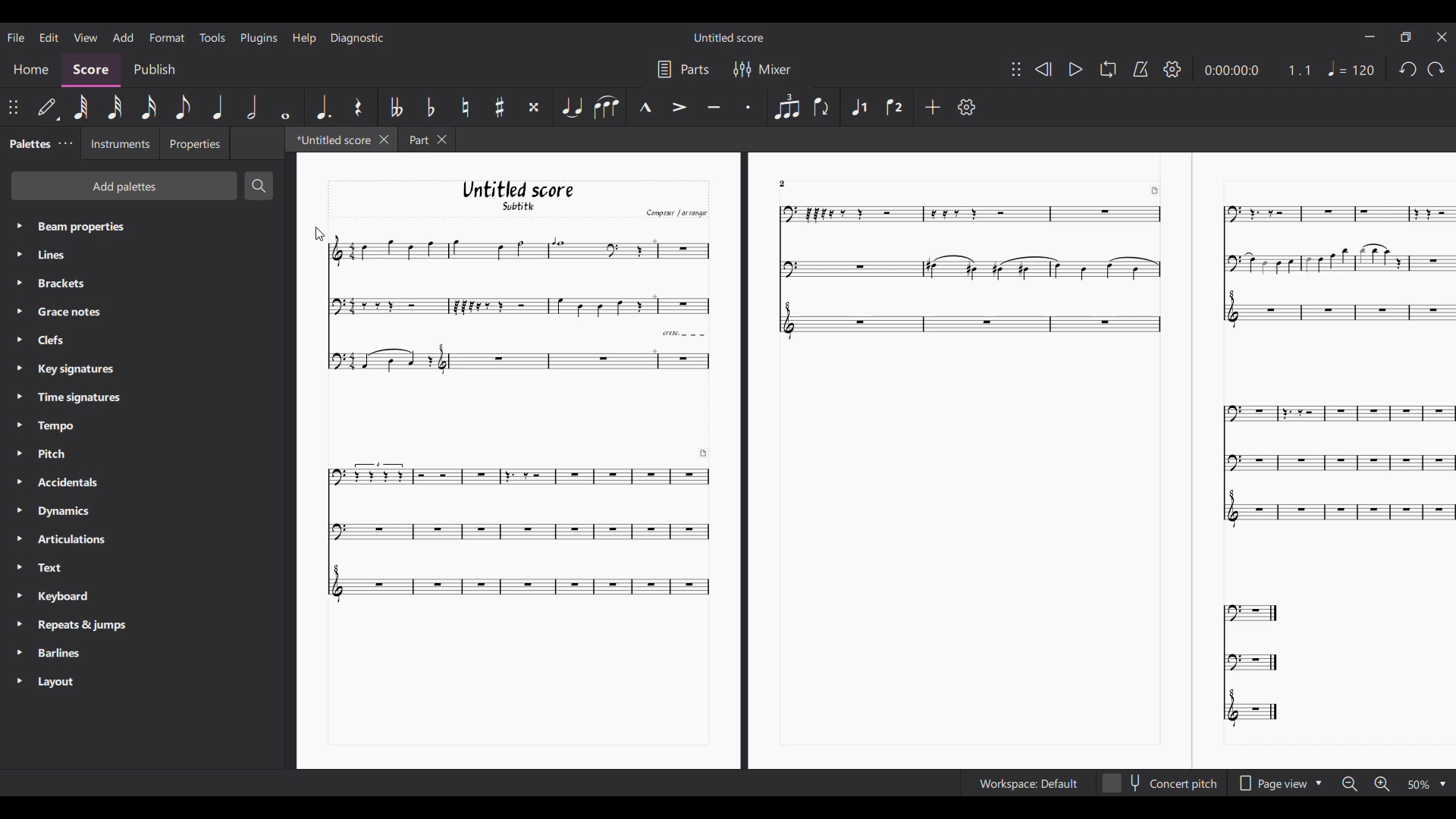  I want to click on Accent, so click(679, 107).